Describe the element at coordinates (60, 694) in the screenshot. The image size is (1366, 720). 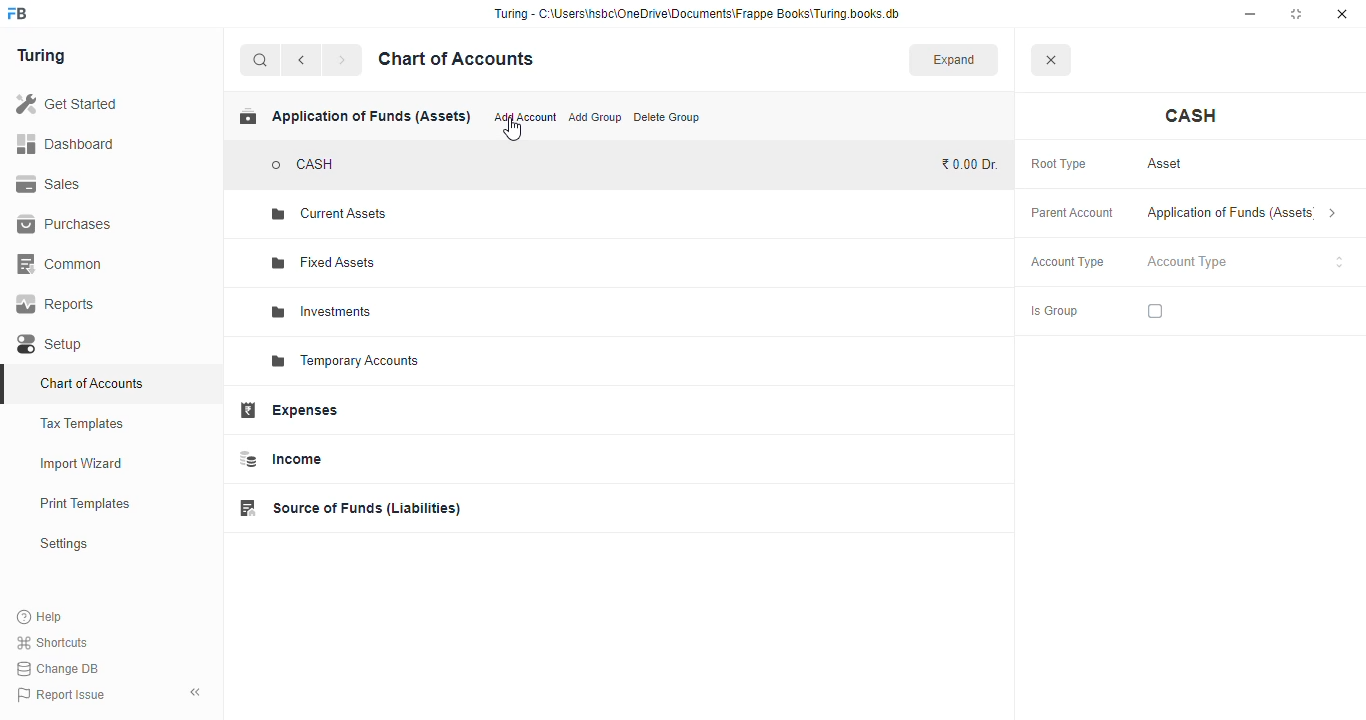
I see `report issue` at that location.